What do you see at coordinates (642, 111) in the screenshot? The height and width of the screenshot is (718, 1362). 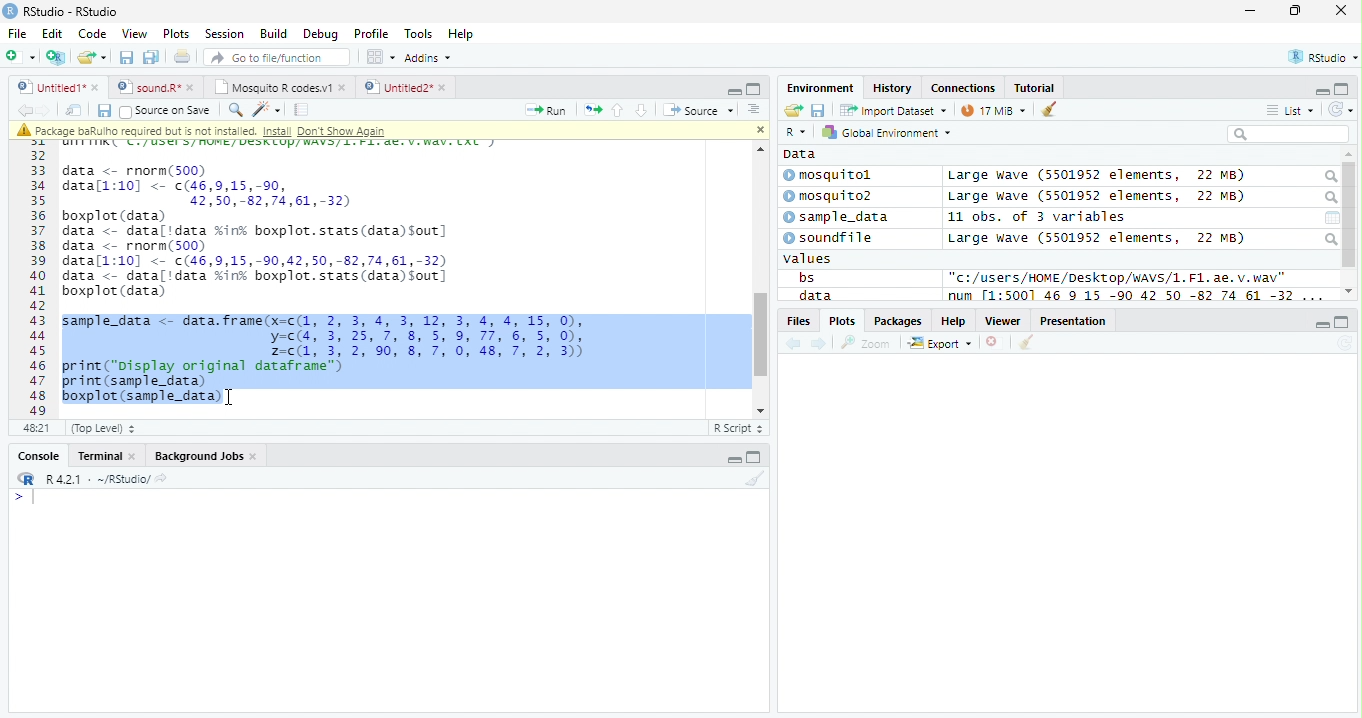 I see `Go to next session` at bounding box center [642, 111].